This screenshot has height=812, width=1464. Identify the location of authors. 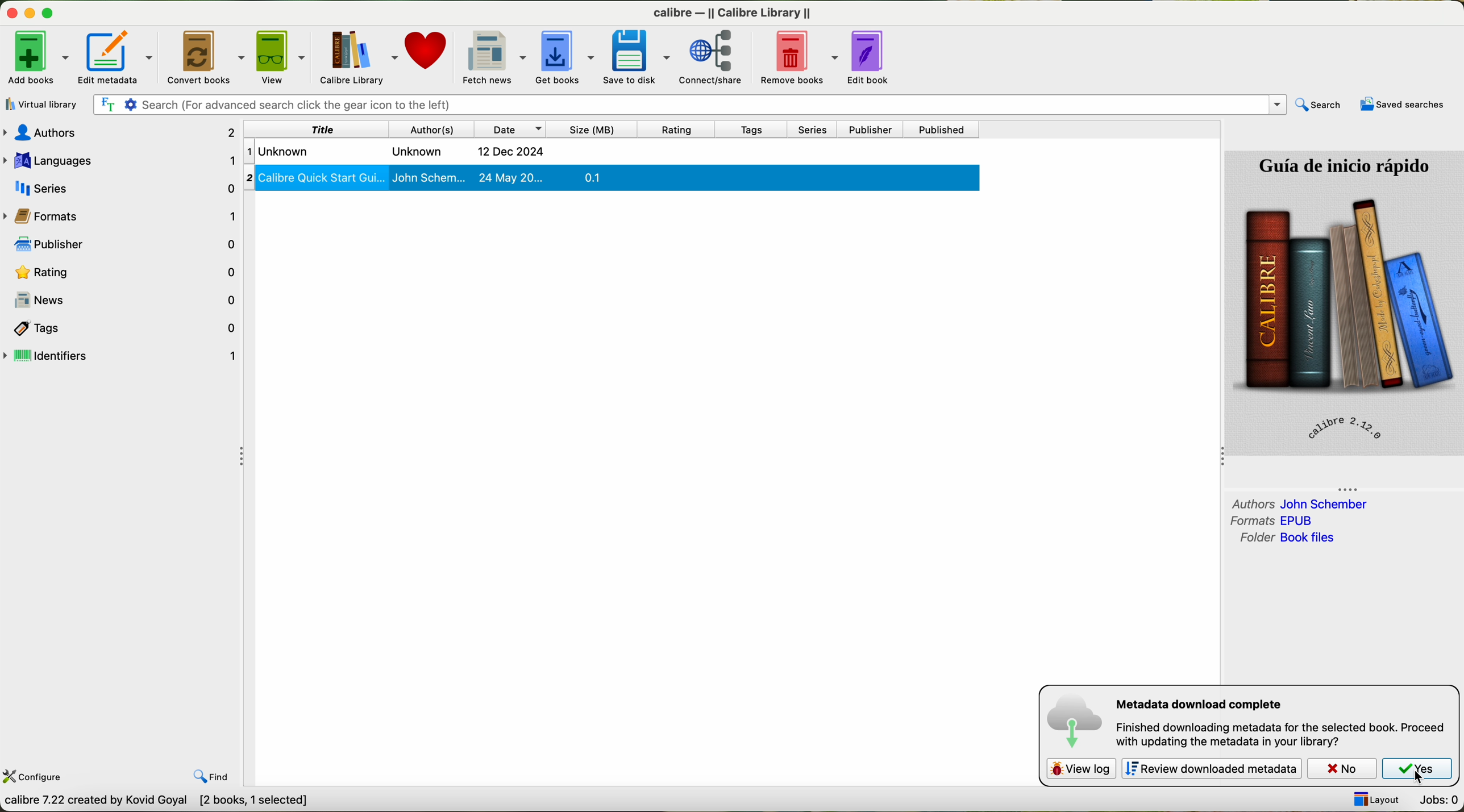
(428, 128).